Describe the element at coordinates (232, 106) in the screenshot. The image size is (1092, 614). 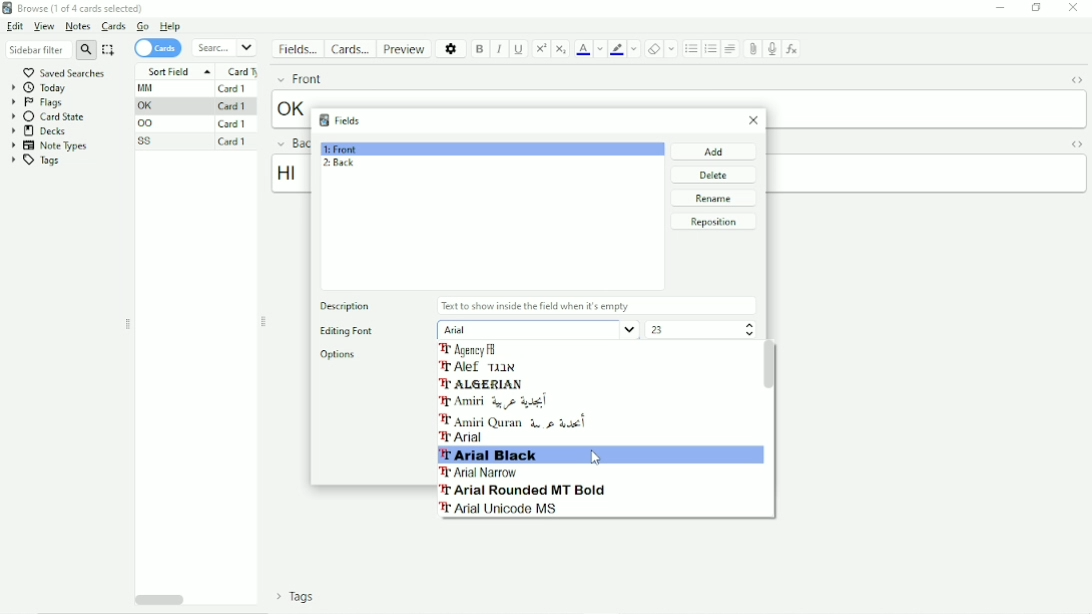
I see `Card 1` at that location.